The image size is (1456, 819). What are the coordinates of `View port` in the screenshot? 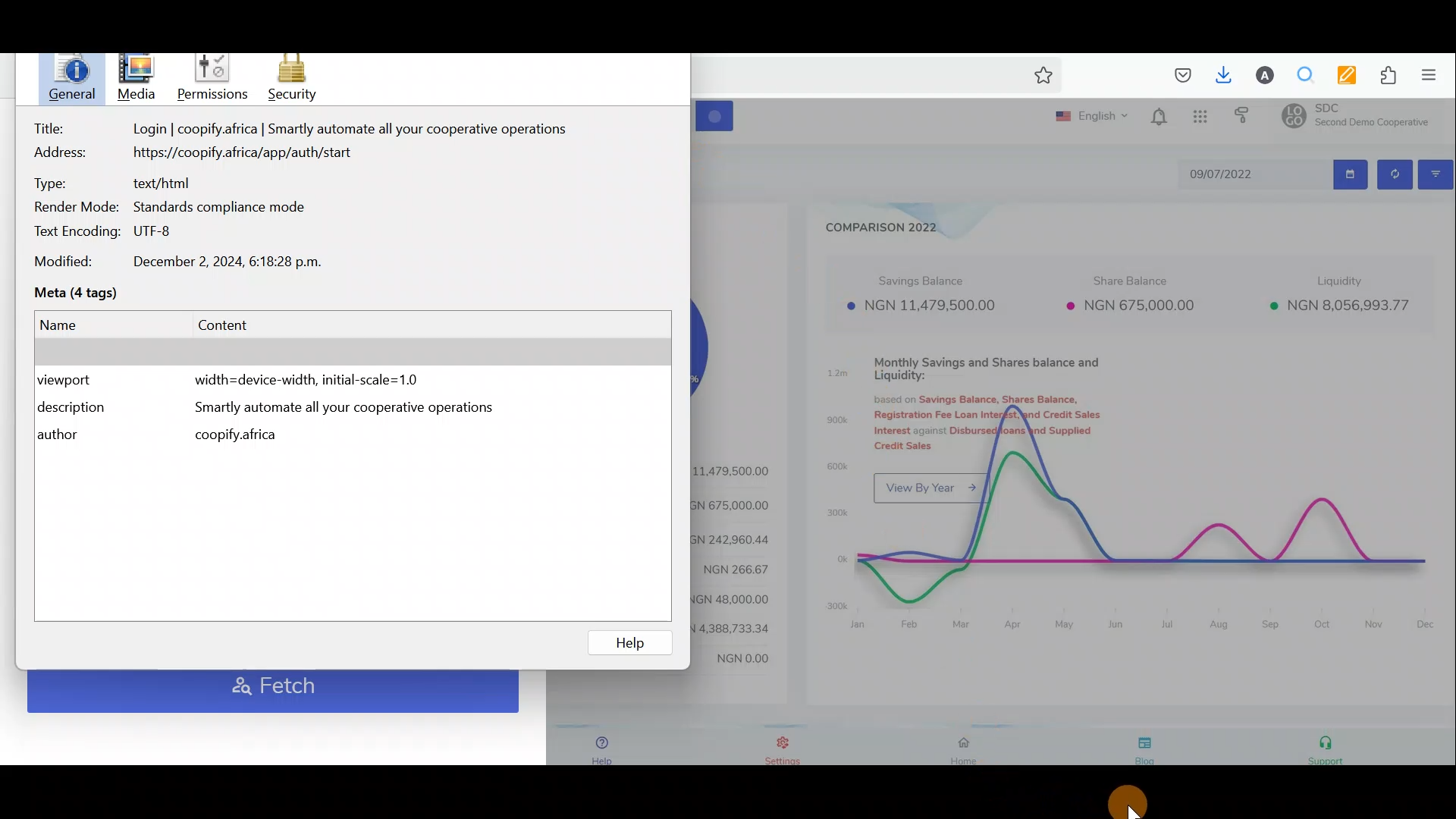 It's located at (234, 379).